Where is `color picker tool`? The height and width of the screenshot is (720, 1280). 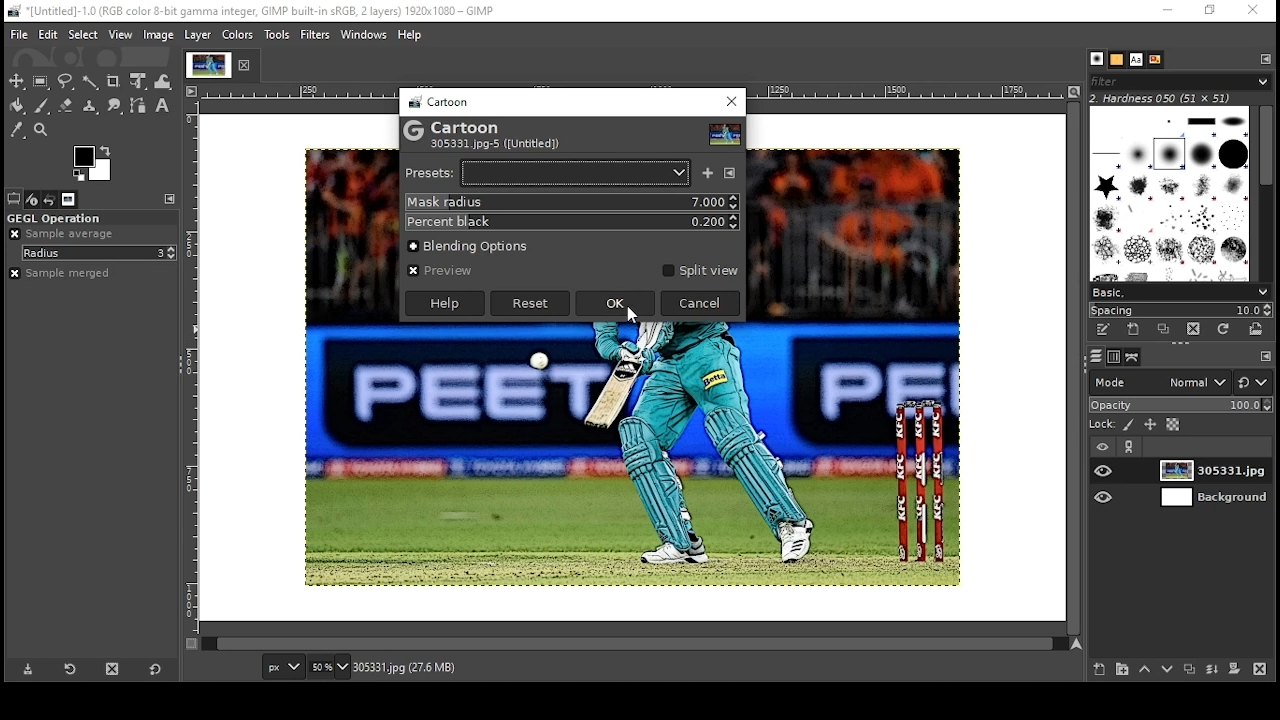
color picker tool is located at coordinates (17, 130).